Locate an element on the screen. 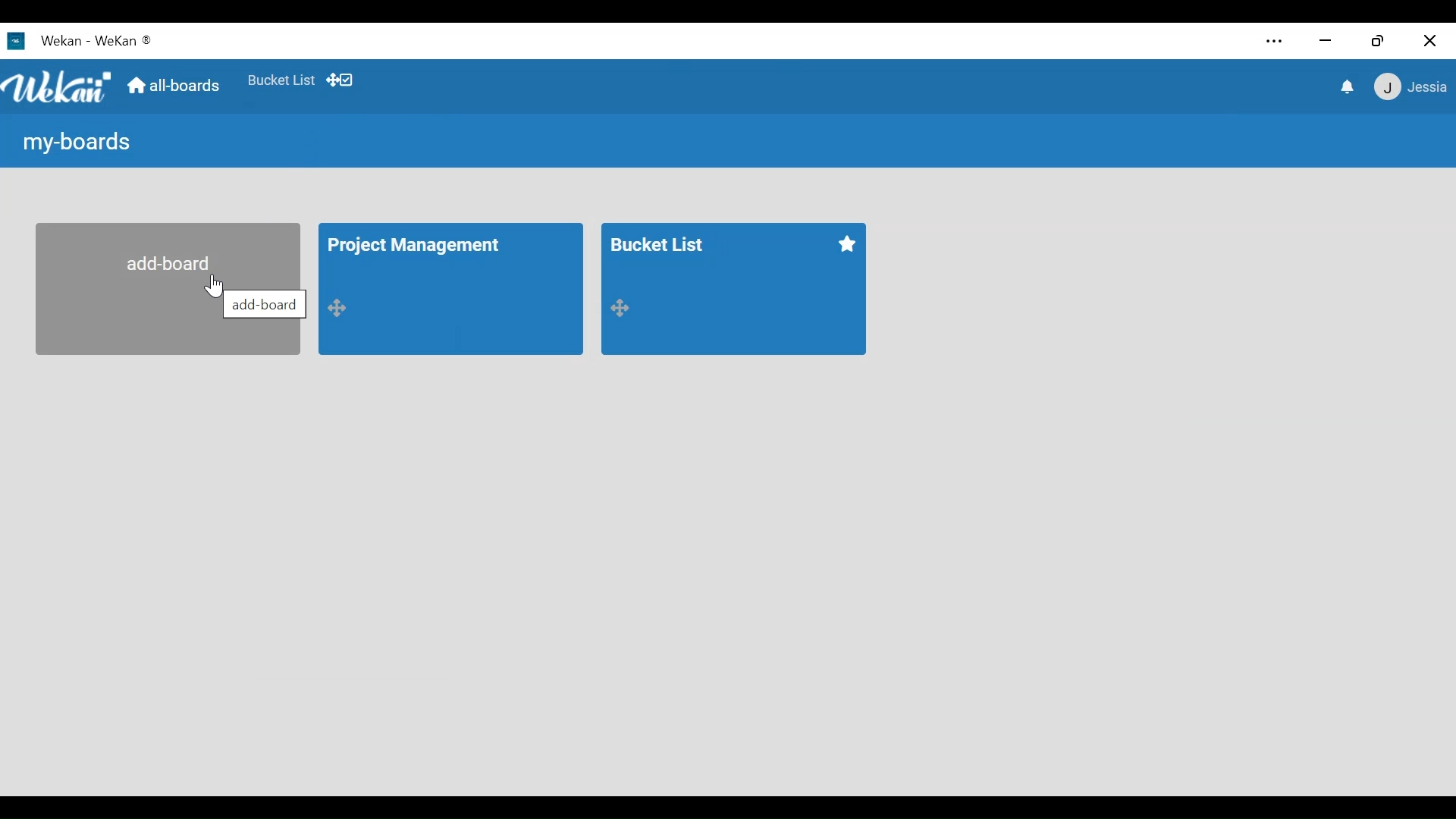  Desktop drag handle is located at coordinates (620, 308).